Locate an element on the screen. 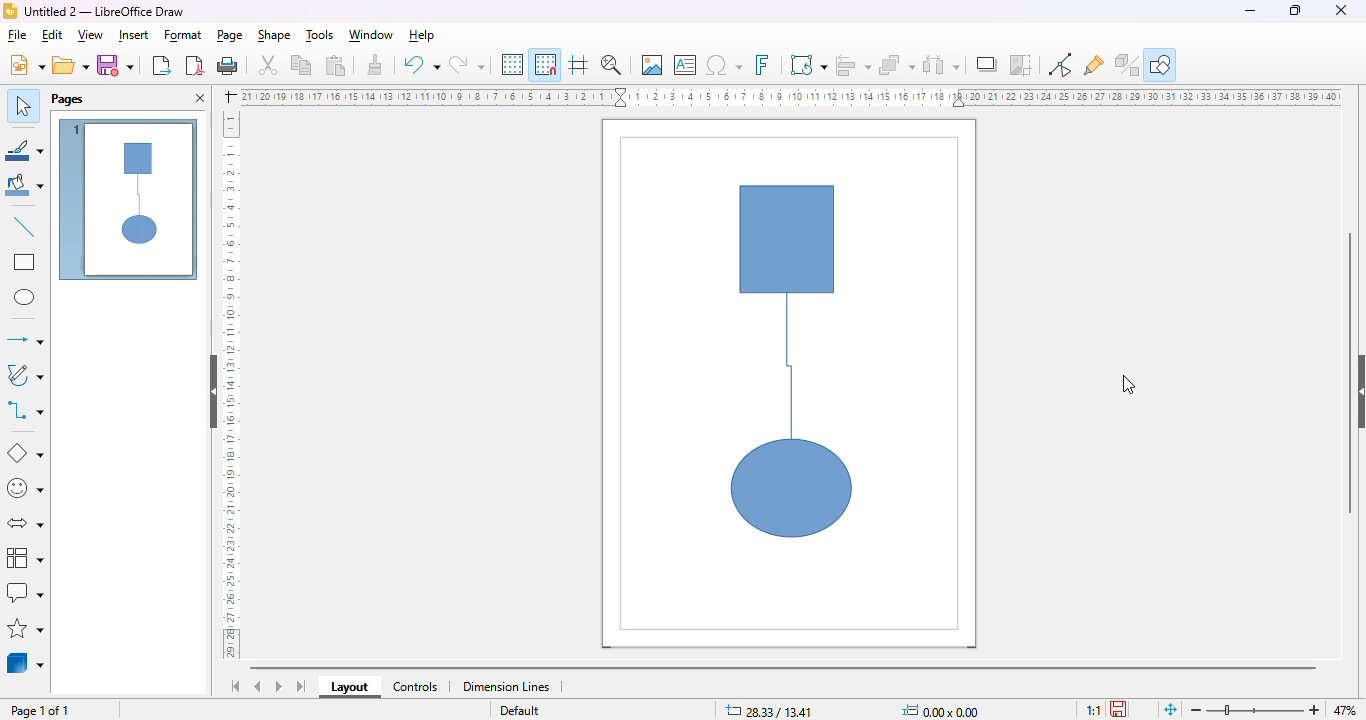 The image size is (1366, 720). save is located at coordinates (115, 64).